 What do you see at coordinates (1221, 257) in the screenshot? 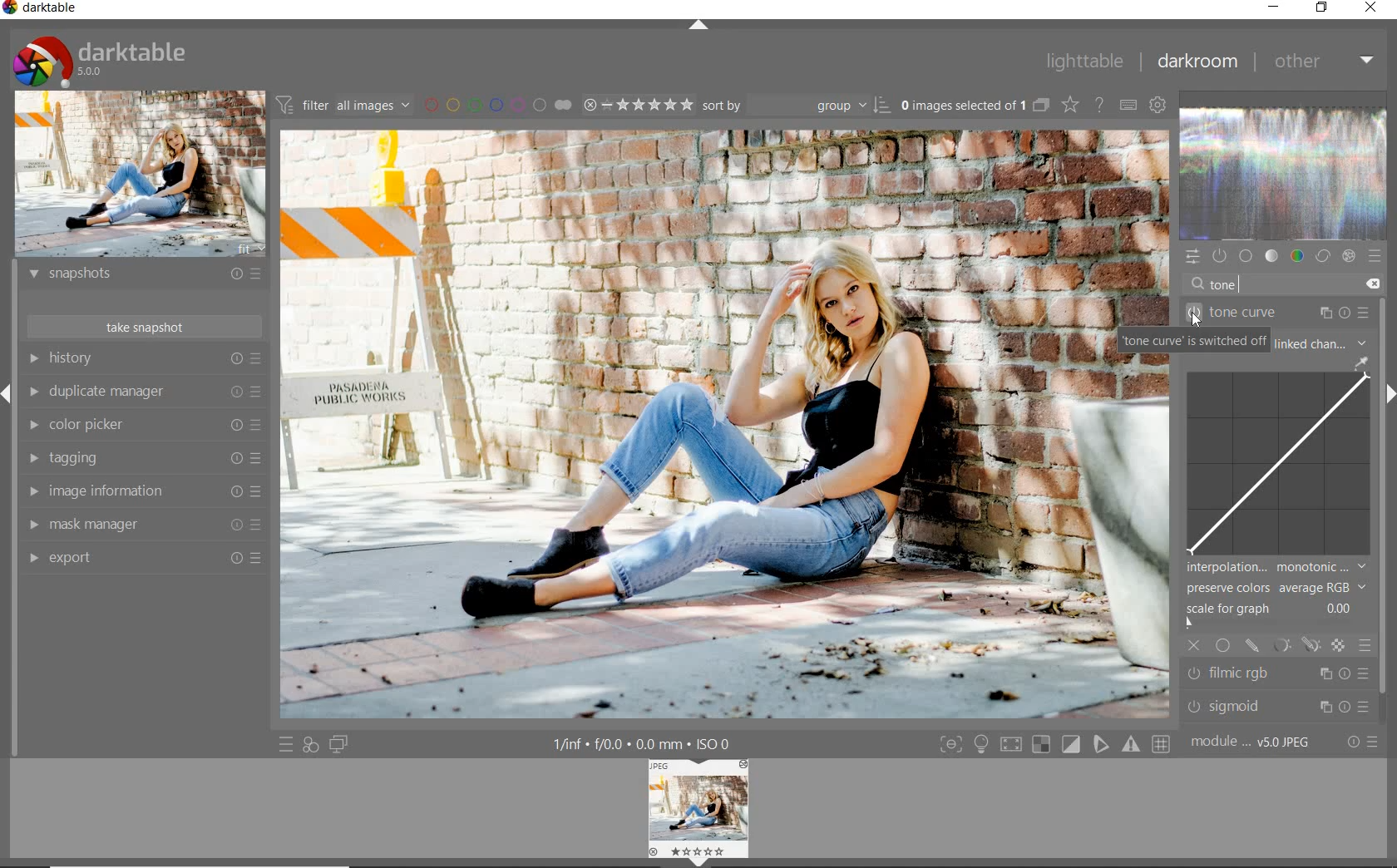
I see `show only active modules` at bounding box center [1221, 257].